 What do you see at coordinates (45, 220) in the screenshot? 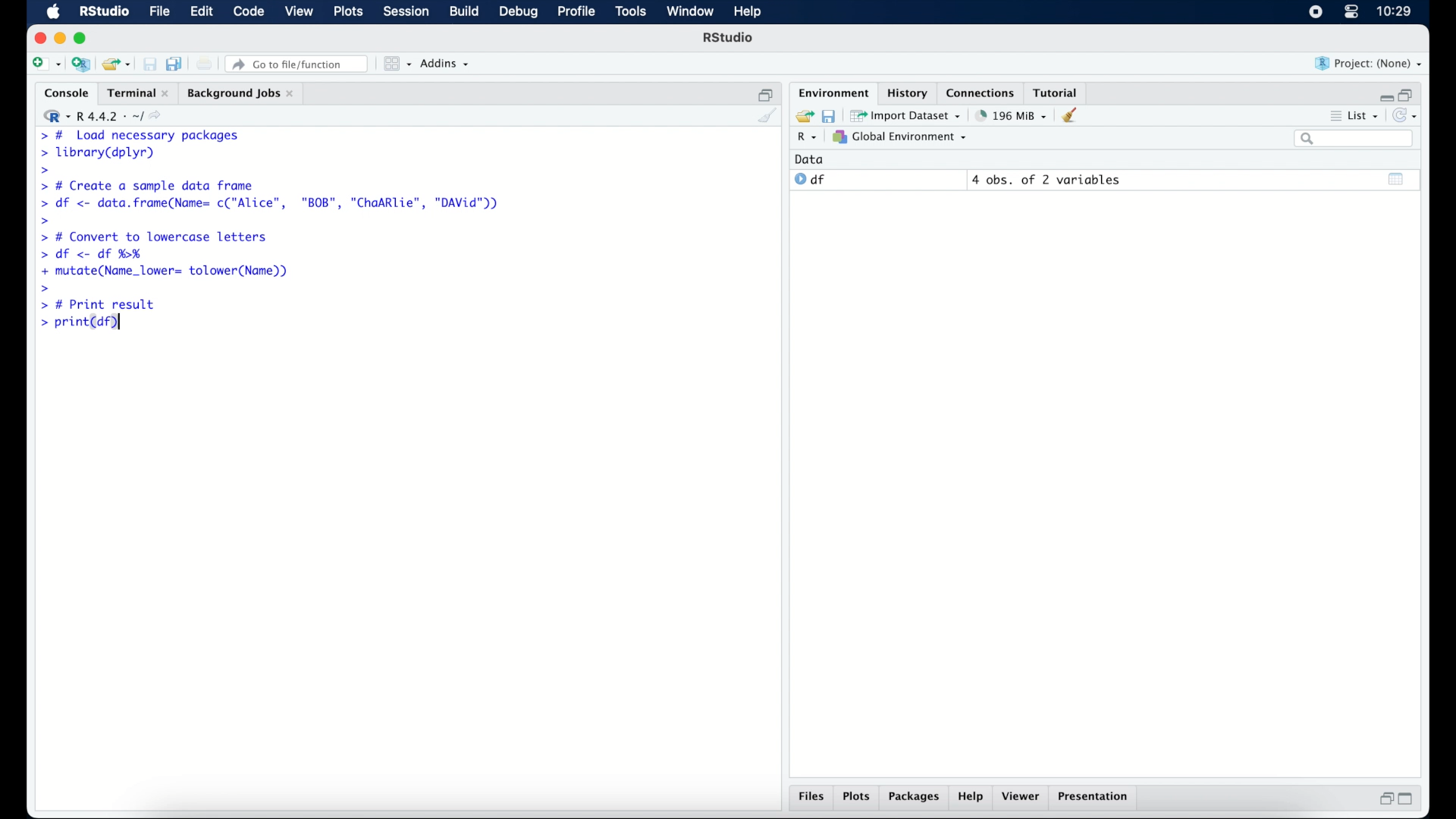
I see `command prompt` at bounding box center [45, 220].